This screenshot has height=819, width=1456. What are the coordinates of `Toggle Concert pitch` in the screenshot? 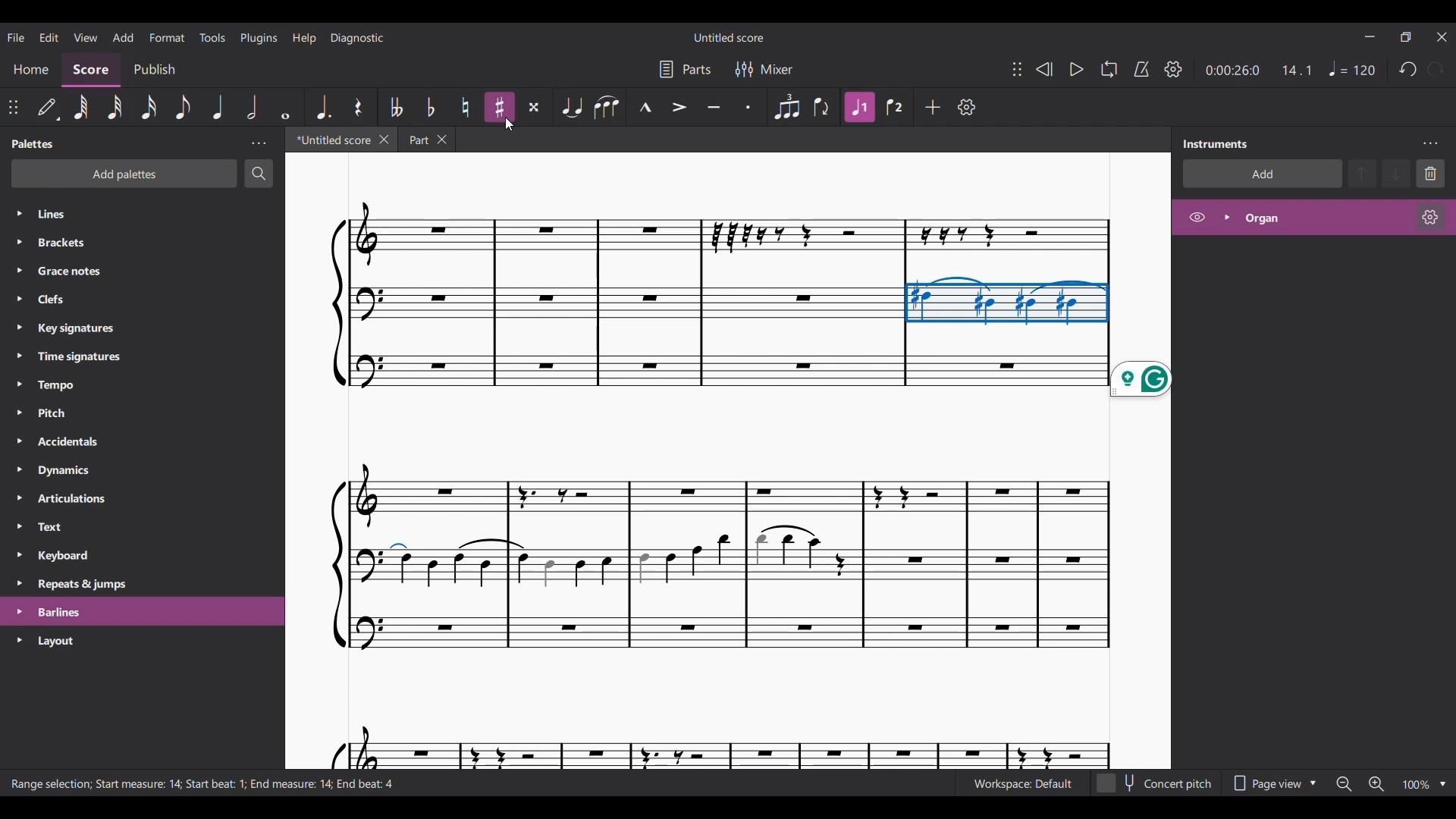 It's located at (1156, 783).